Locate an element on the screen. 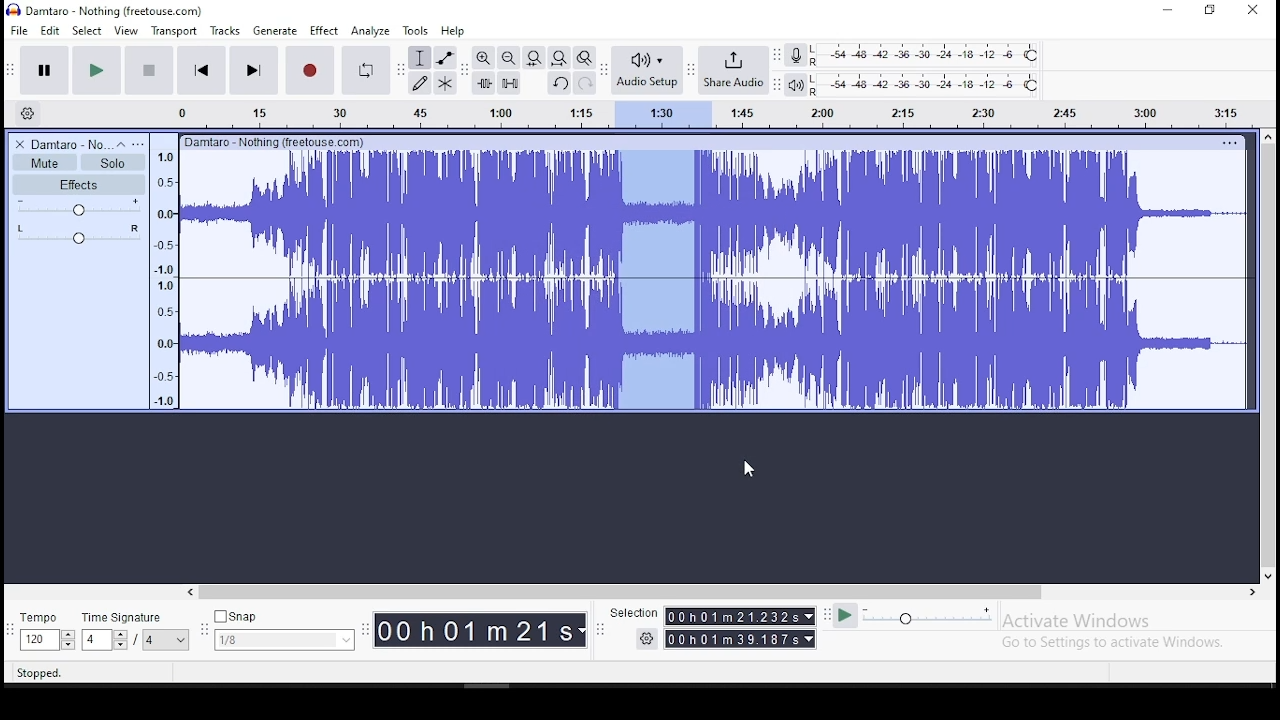  envelope tool is located at coordinates (444, 57).